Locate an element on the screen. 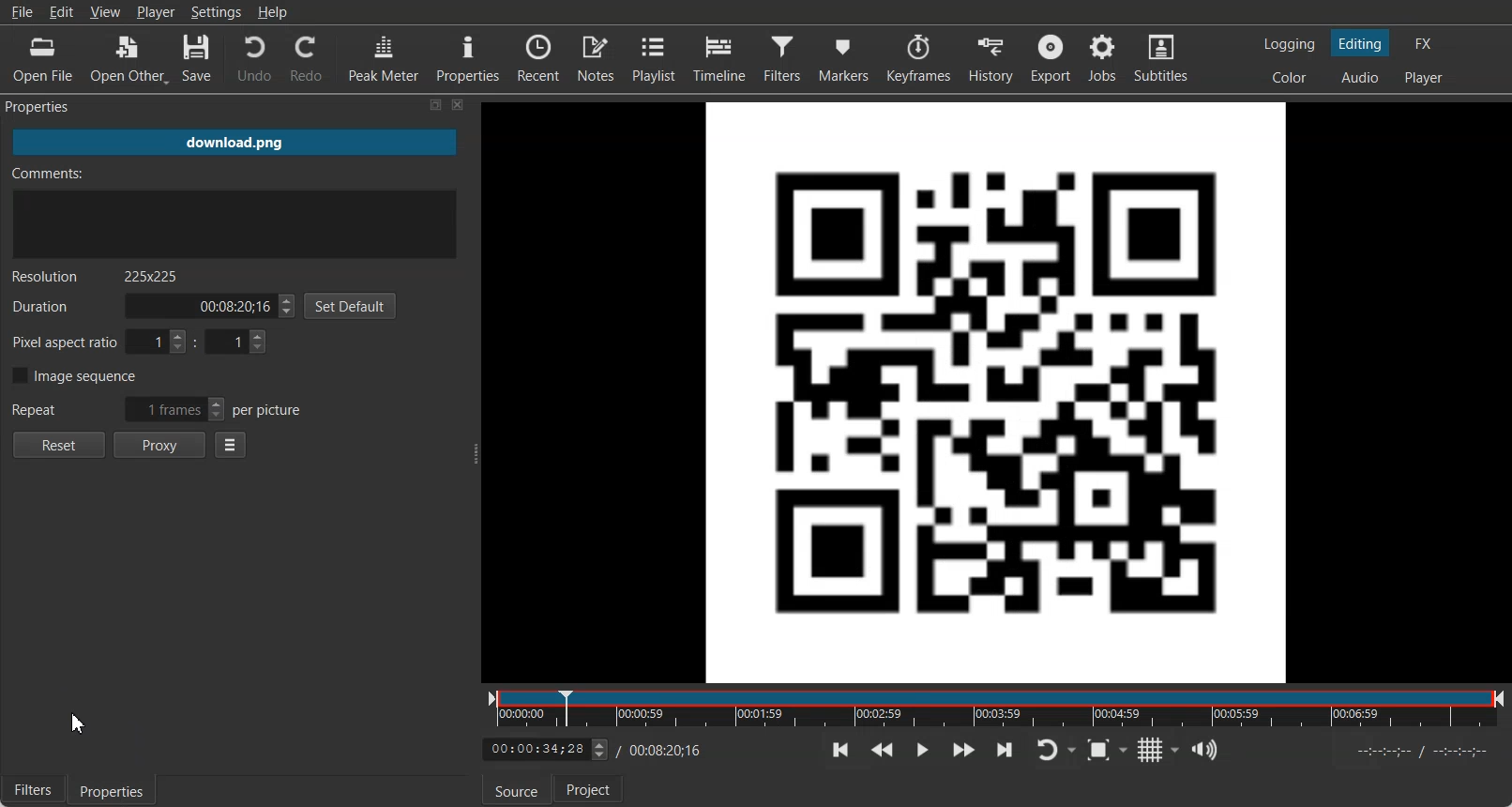 This screenshot has height=807, width=1512. Video end time is located at coordinates (668, 751).